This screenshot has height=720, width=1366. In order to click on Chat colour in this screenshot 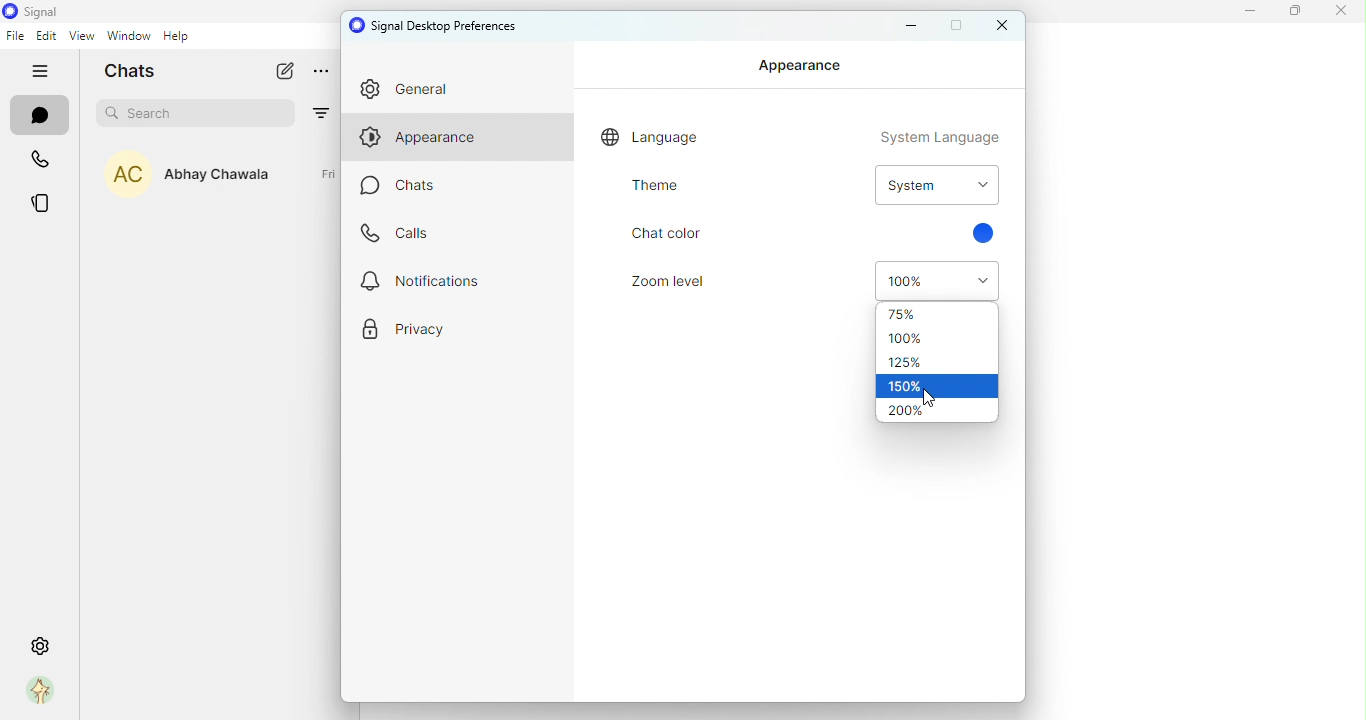, I will do `click(666, 231)`.